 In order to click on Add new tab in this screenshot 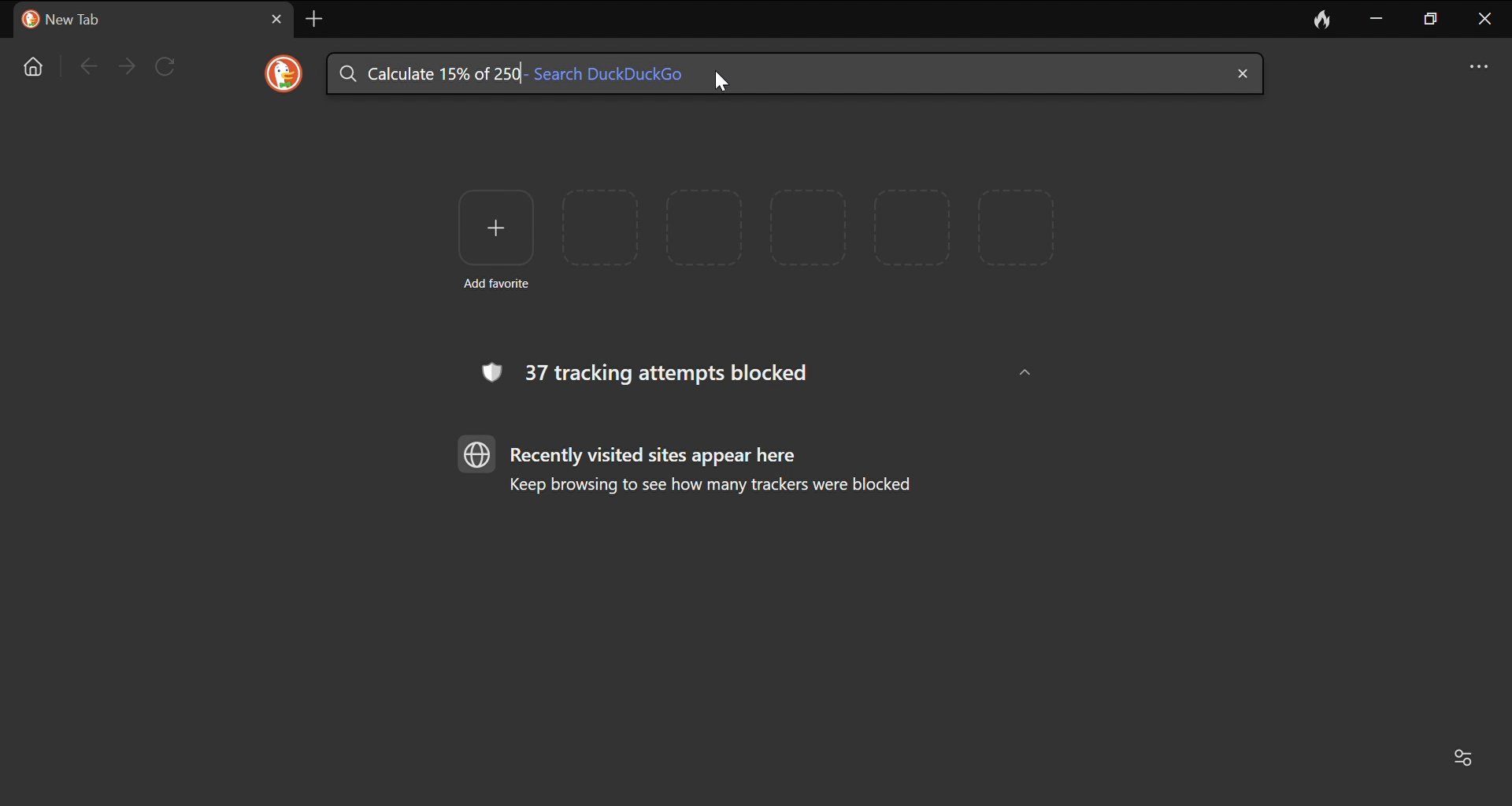, I will do `click(314, 18)`.